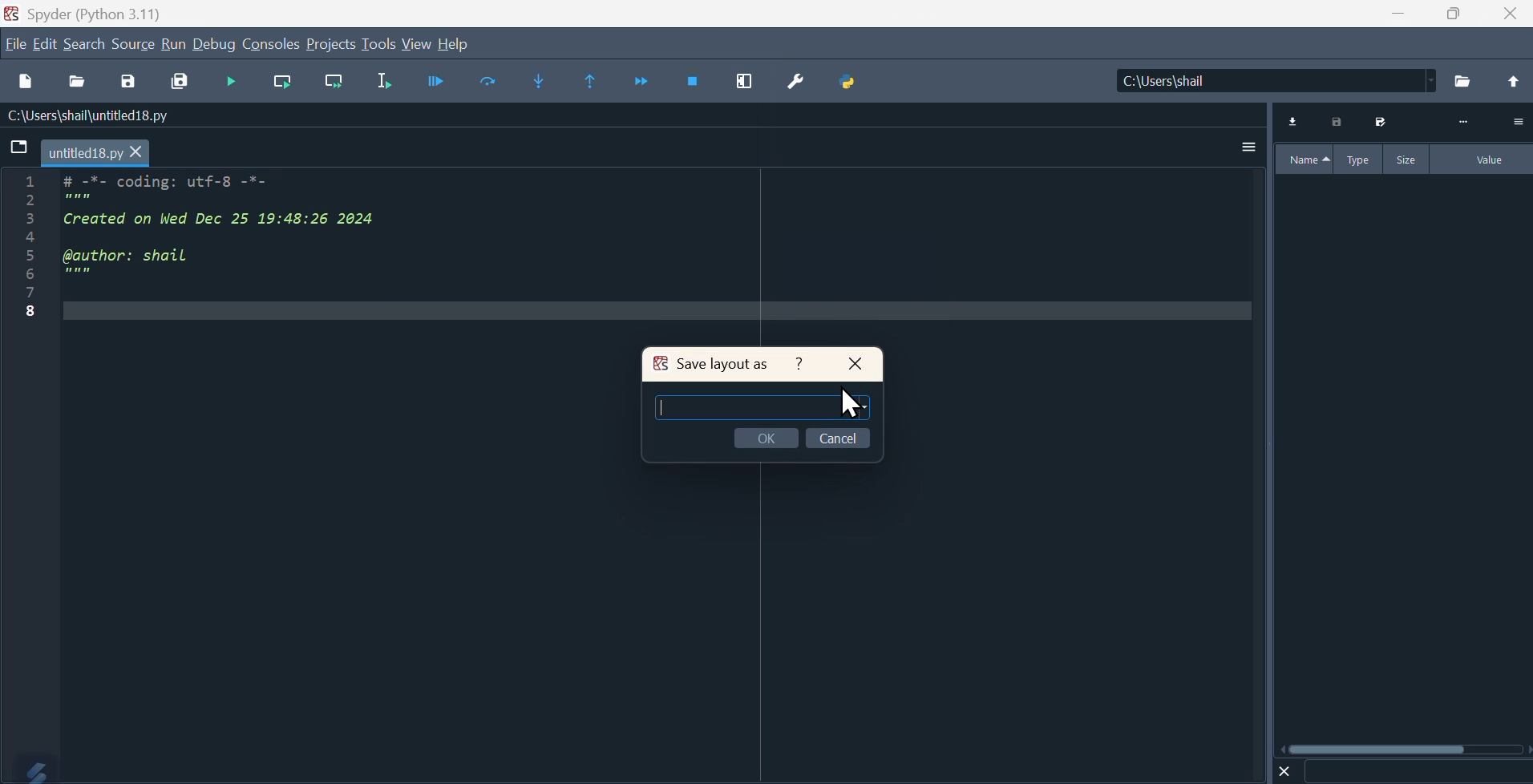  I want to click on C:\user\shall, so click(1277, 80).